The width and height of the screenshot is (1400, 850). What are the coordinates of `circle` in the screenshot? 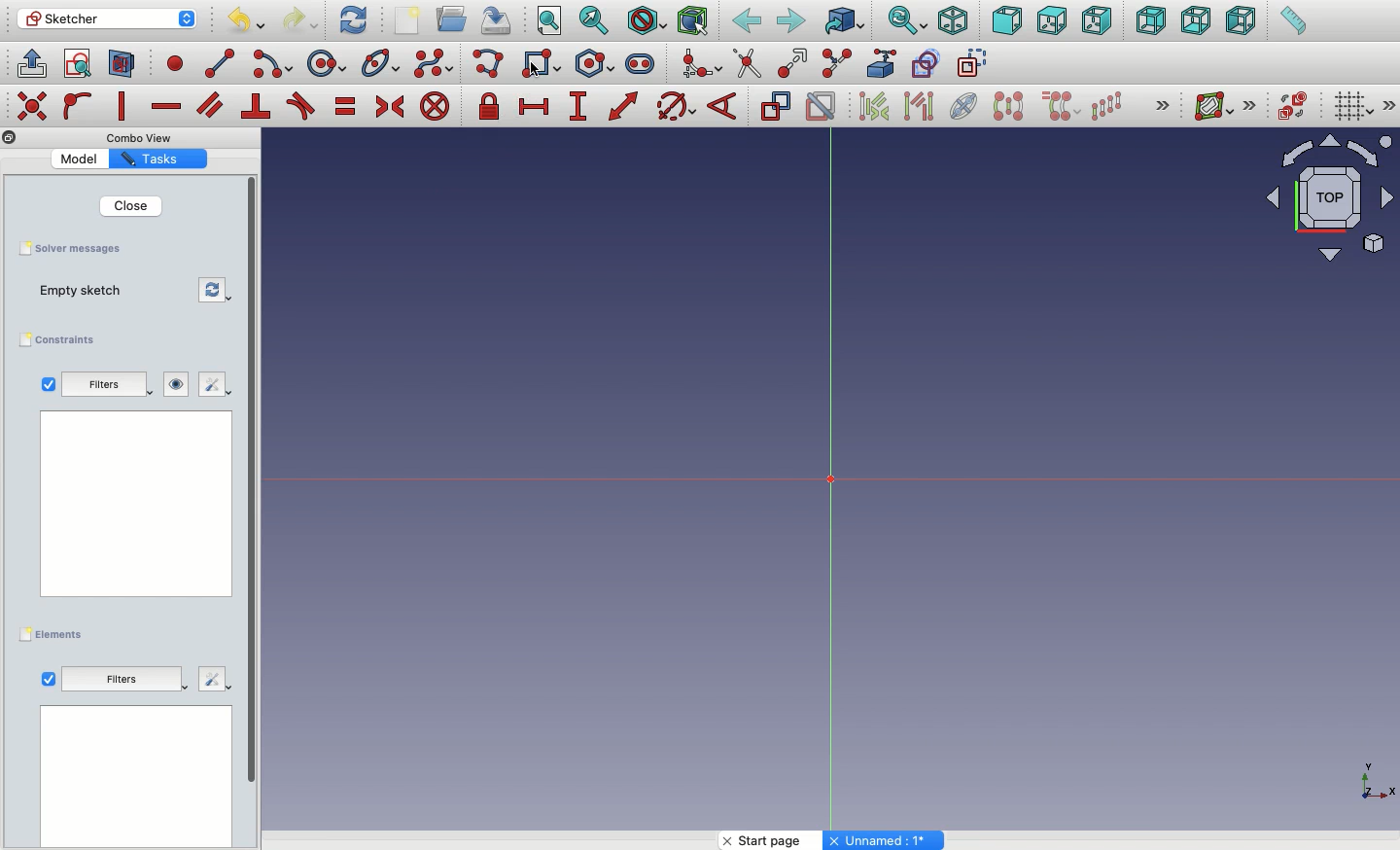 It's located at (327, 64).